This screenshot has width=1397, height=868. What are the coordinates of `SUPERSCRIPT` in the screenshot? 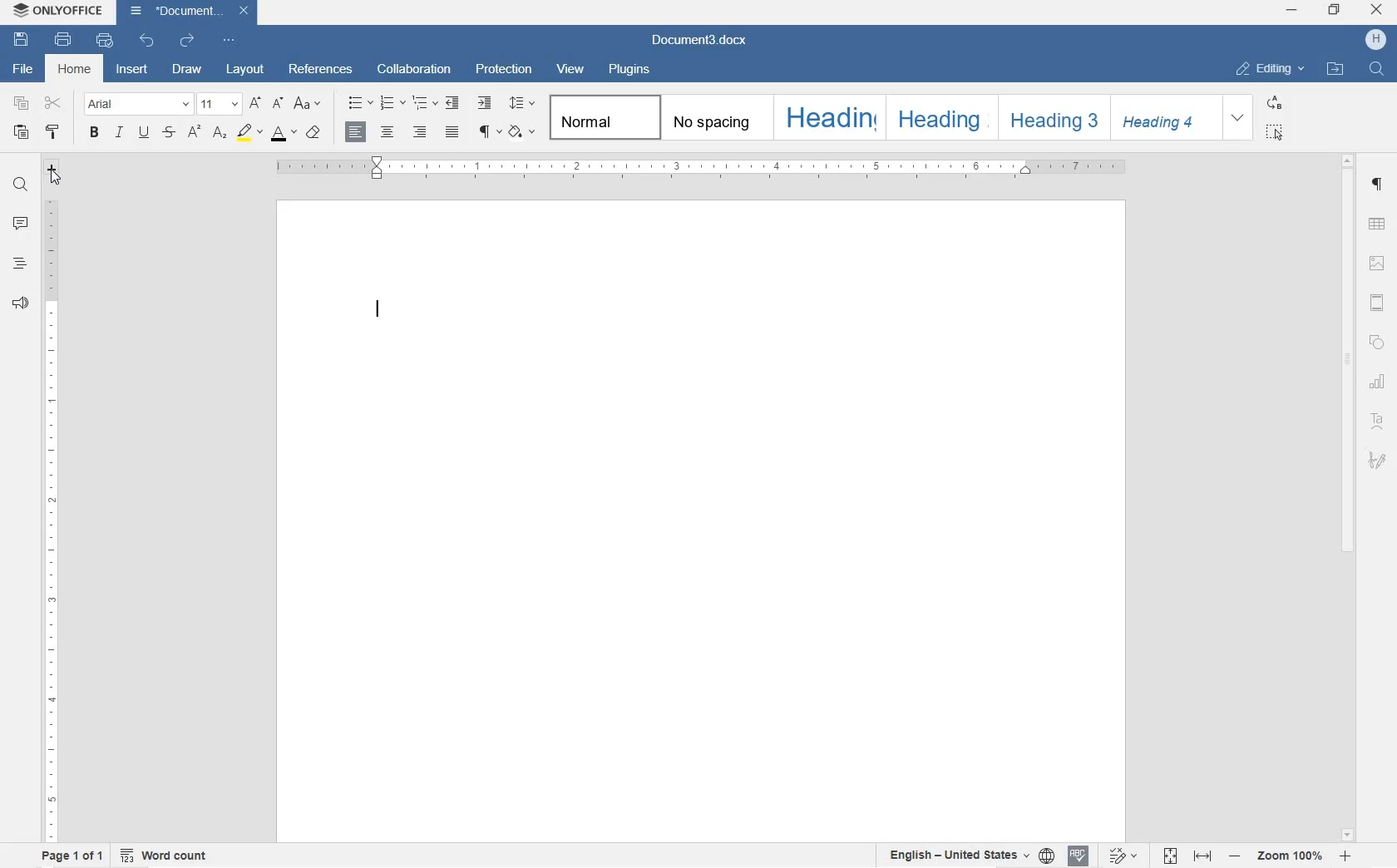 It's located at (195, 133).